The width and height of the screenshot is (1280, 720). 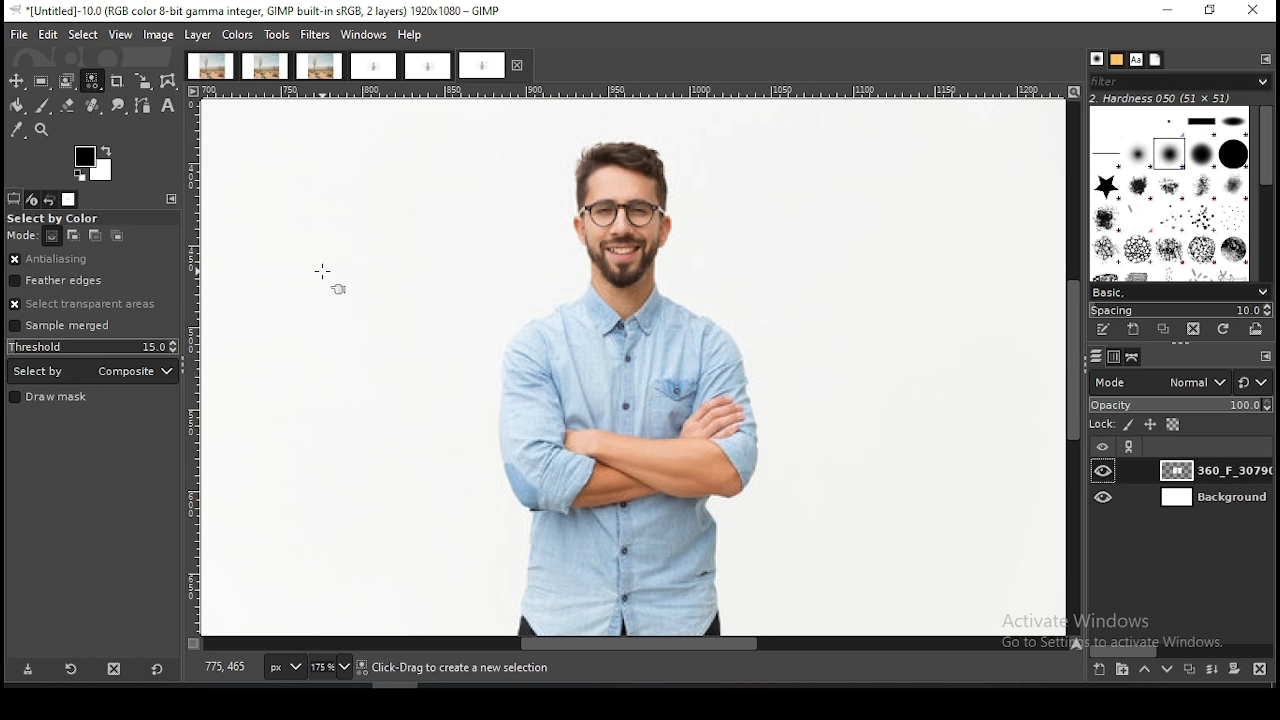 I want to click on scroll bar, so click(x=1264, y=194).